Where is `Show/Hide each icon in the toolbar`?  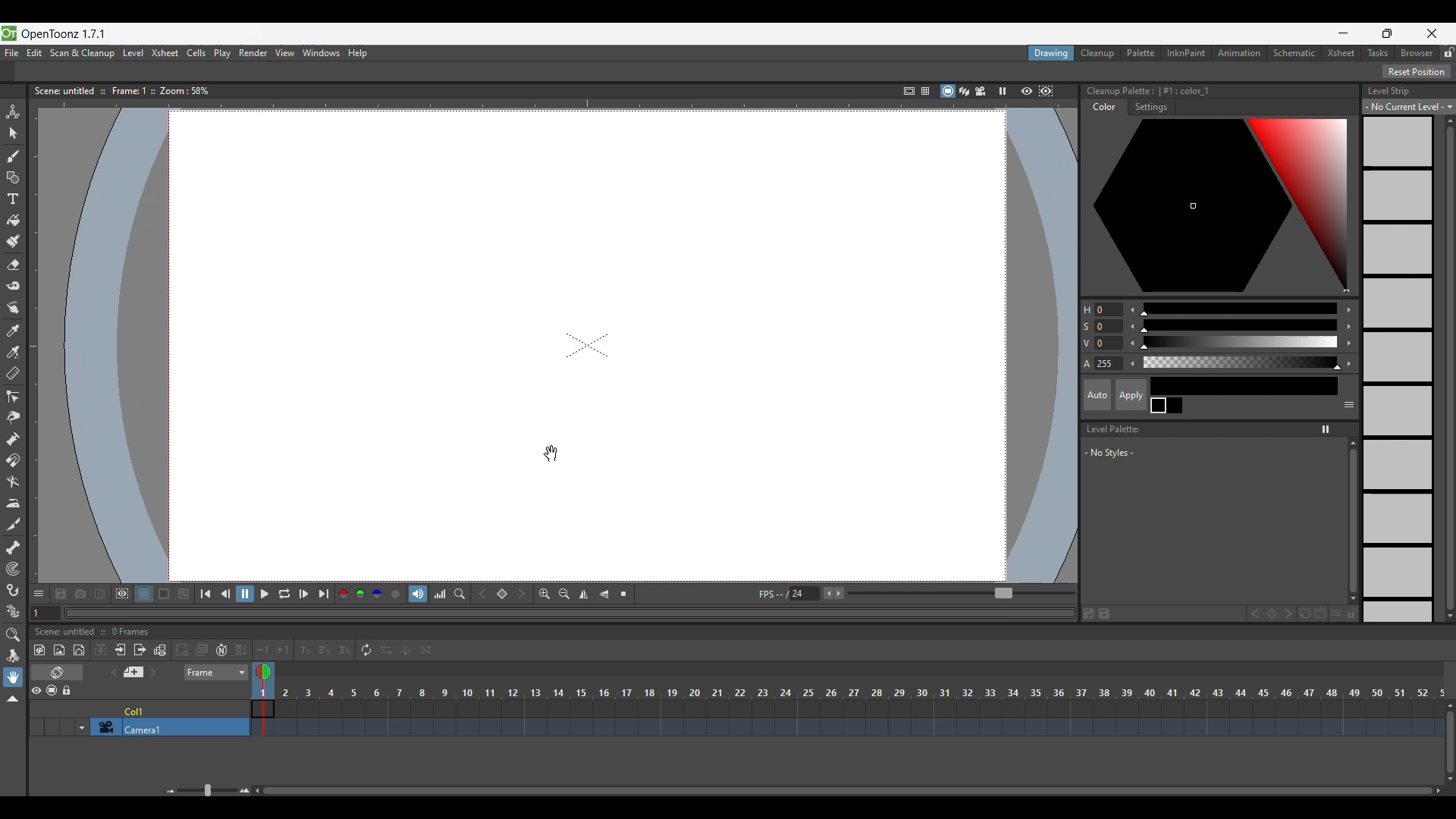 Show/Hide each icon in the toolbar is located at coordinates (39, 594).